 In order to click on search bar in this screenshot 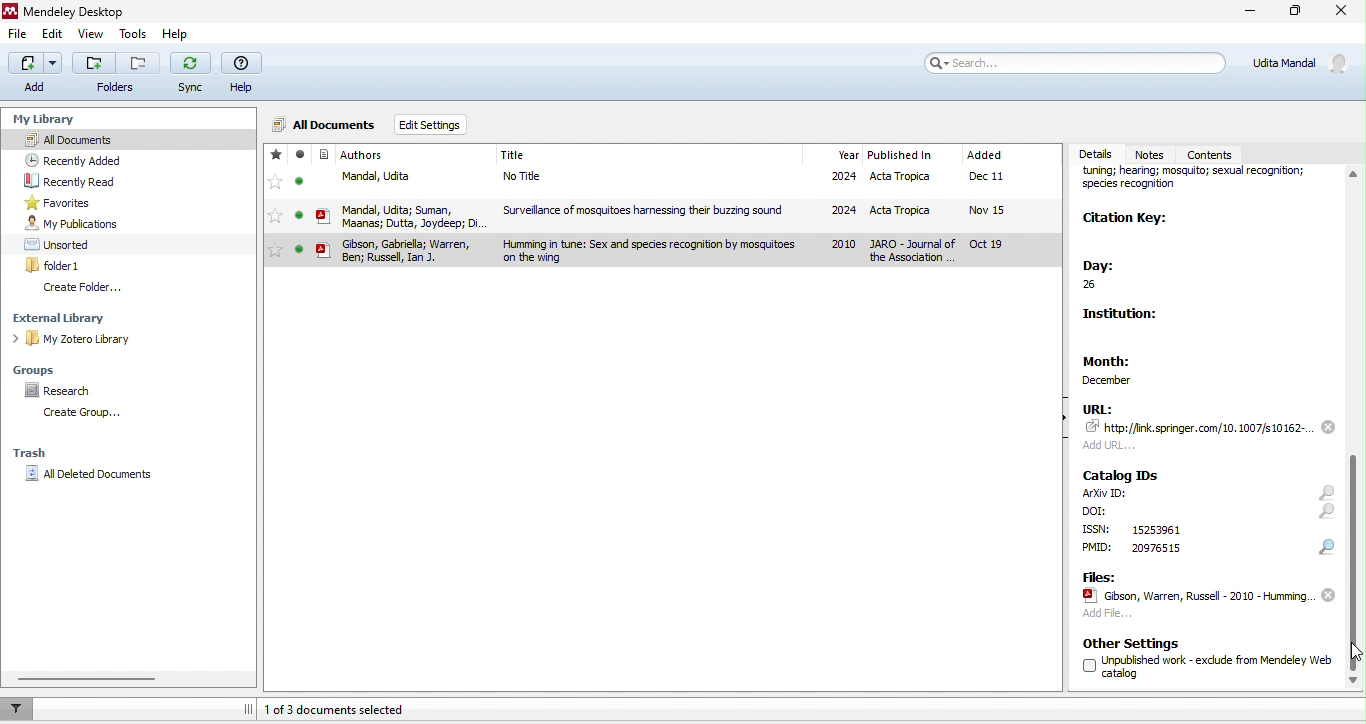, I will do `click(1076, 62)`.